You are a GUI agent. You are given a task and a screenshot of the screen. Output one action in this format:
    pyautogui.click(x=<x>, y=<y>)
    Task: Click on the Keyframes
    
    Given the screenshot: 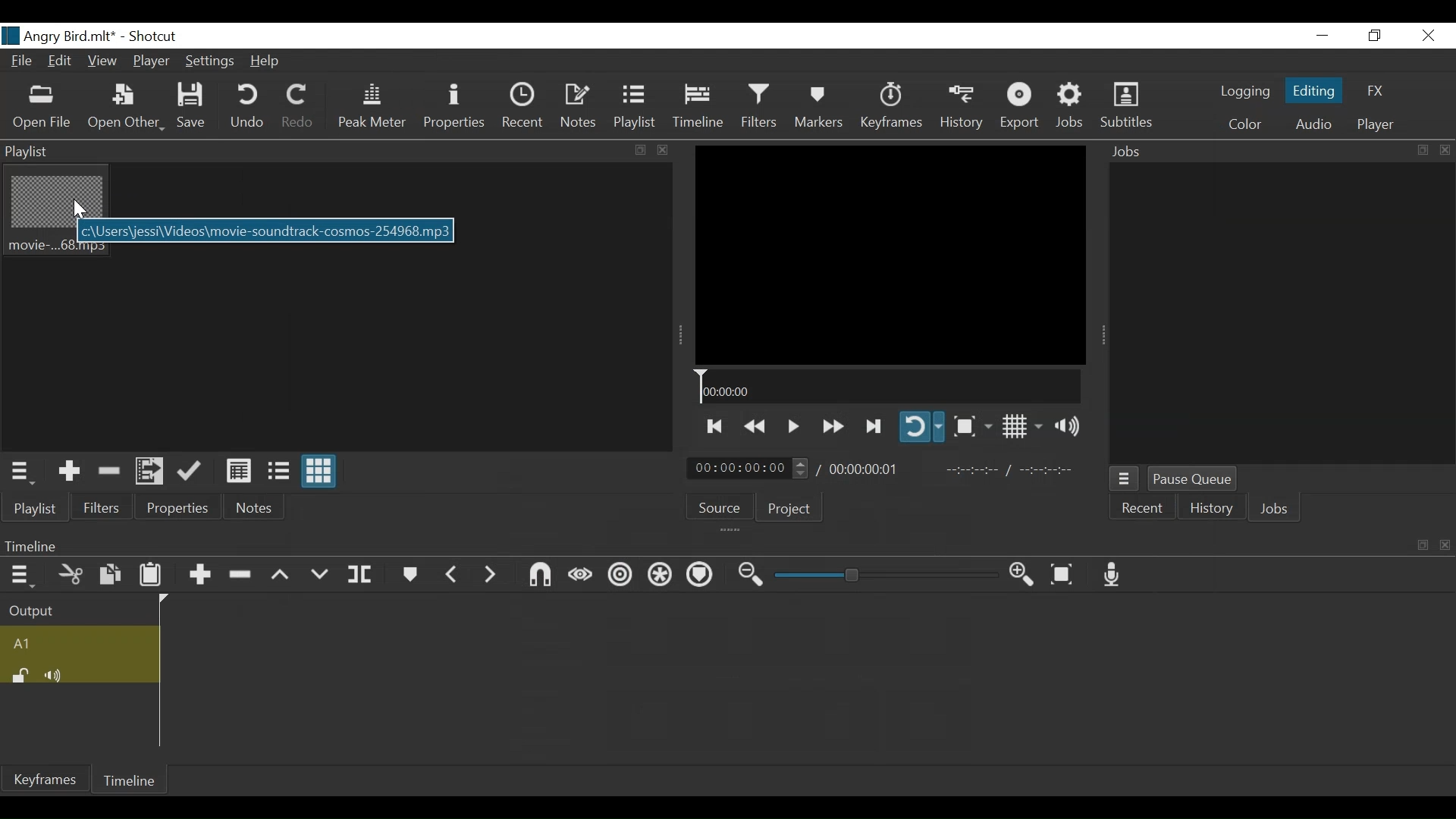 What is the action you would take?
    pyautogui.click(x=46, y=779)
    